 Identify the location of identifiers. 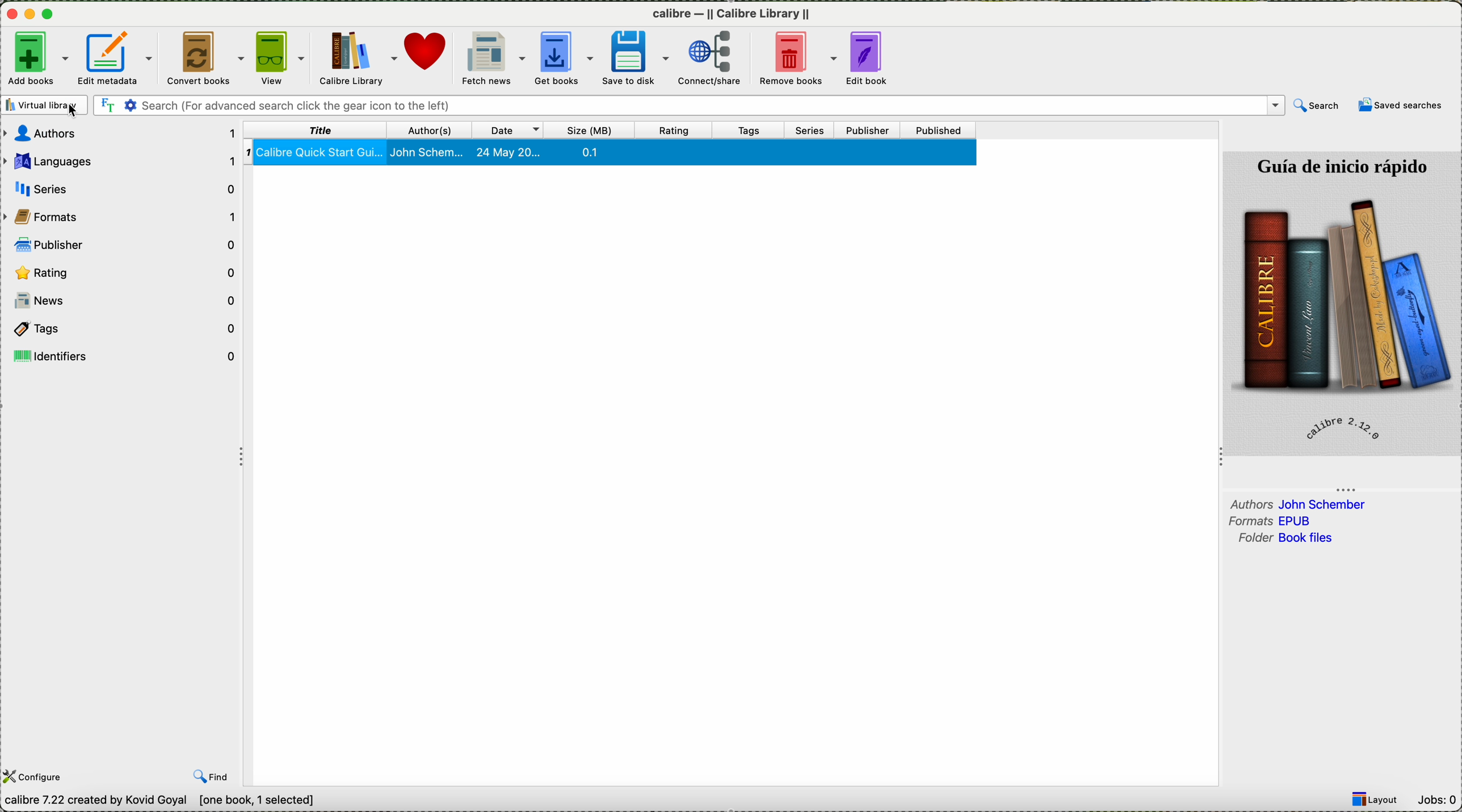
(126, 355).